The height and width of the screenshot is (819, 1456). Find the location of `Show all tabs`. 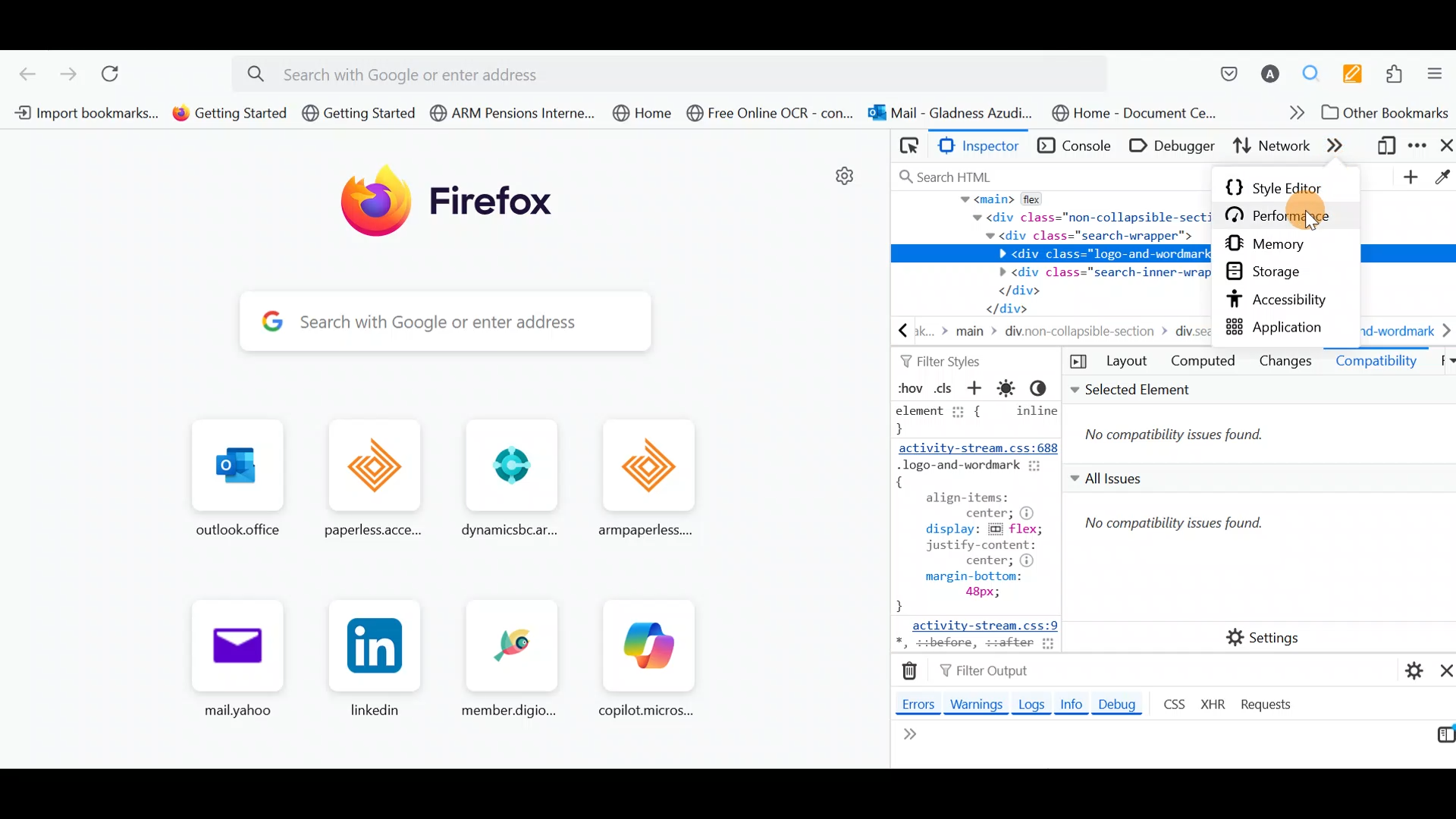

Show all tabs is located at coordinates (1442, 362).